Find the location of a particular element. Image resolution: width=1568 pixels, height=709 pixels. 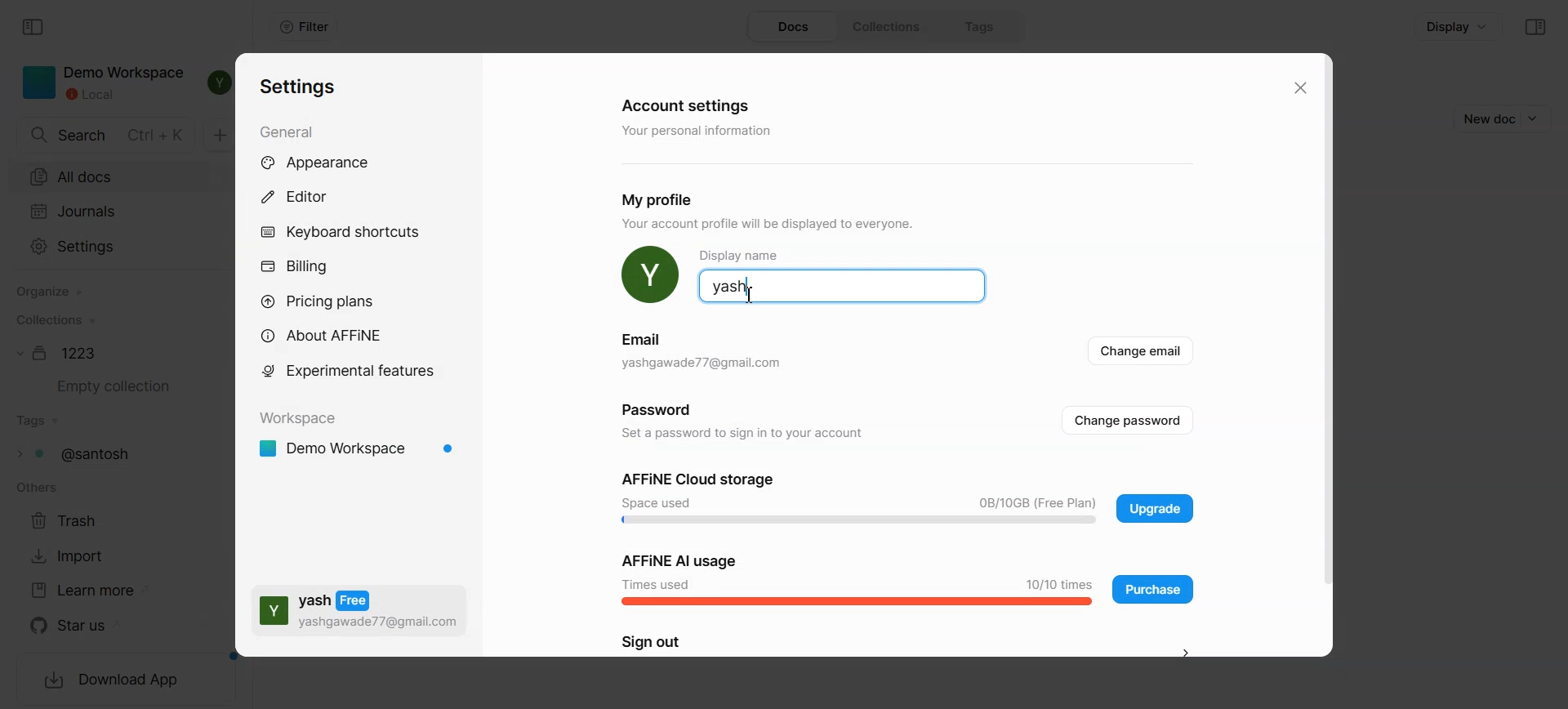

Tags is located at coordinates (81, 453).